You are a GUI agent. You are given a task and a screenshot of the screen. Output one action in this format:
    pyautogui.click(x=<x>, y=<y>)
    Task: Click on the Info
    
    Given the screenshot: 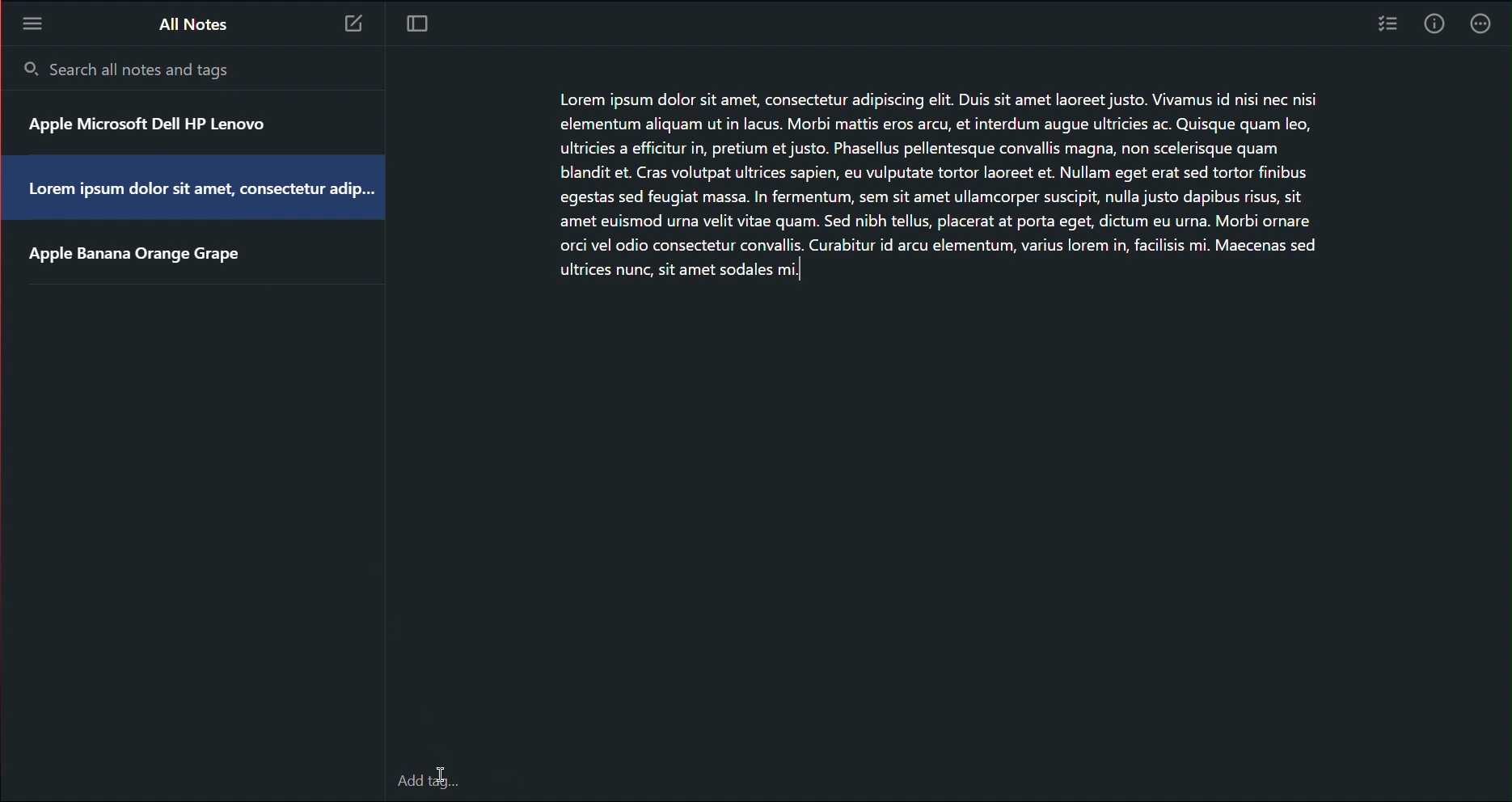 What is the action you would take?
    pyautogui.click(x=1433, y=27)
    